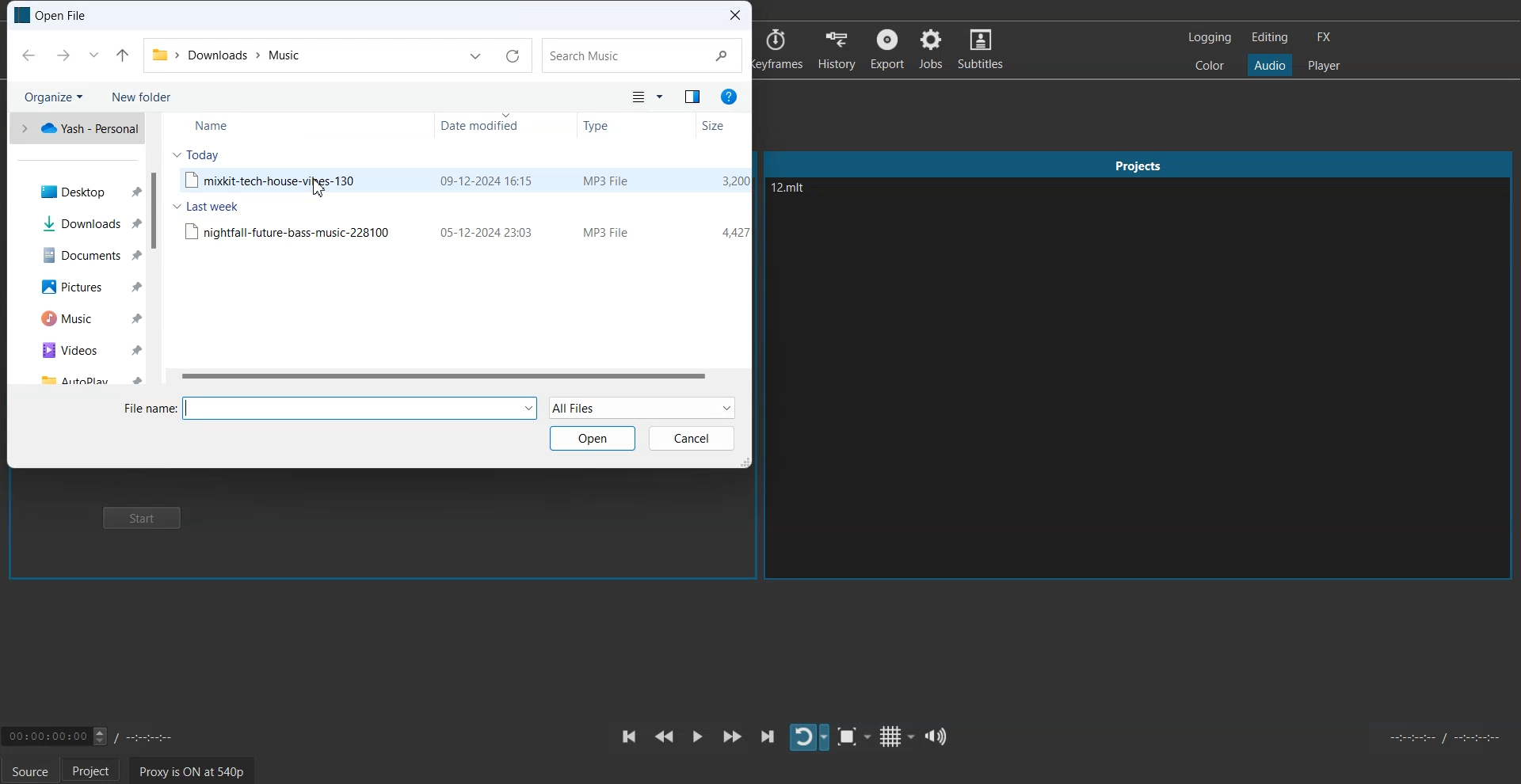 The width and height of the screenshot is (1521, 784). Describe the element at coordinates (1325, 36) in the screenshot. I see `FX` at that location.